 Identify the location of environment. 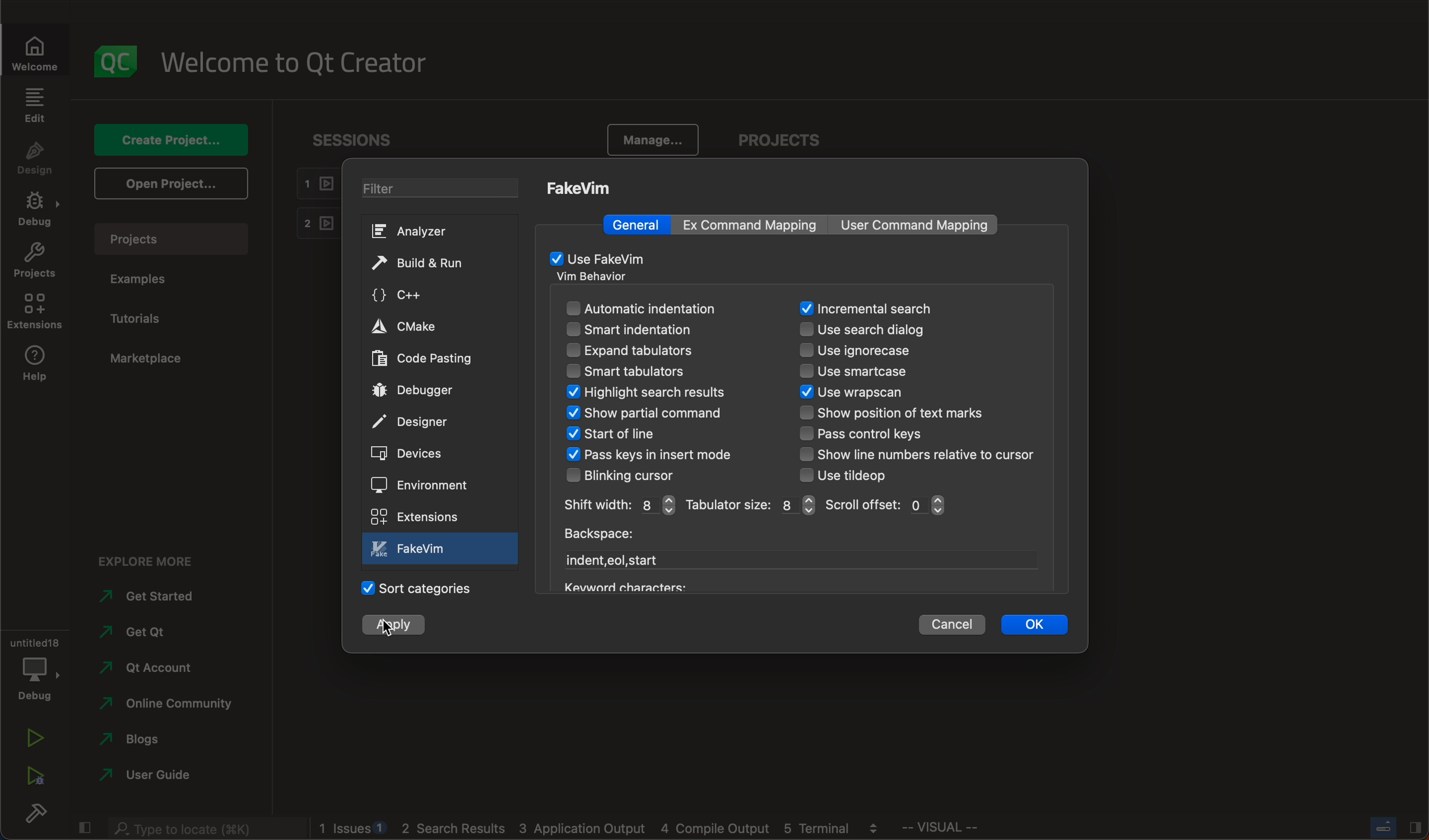
(426, 485).